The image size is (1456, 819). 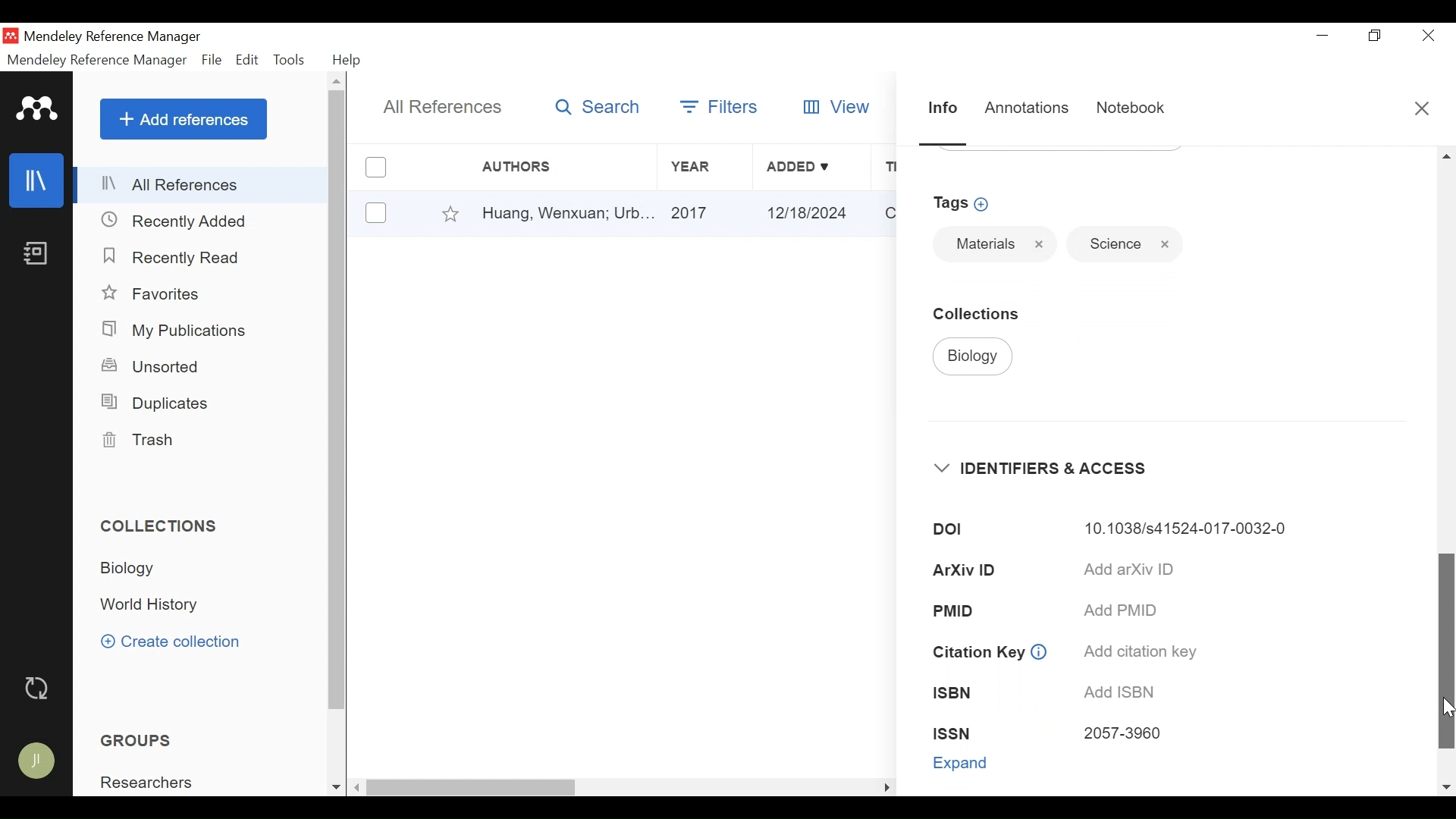 I want to click on (un)select all, so click(x=375, y=167).